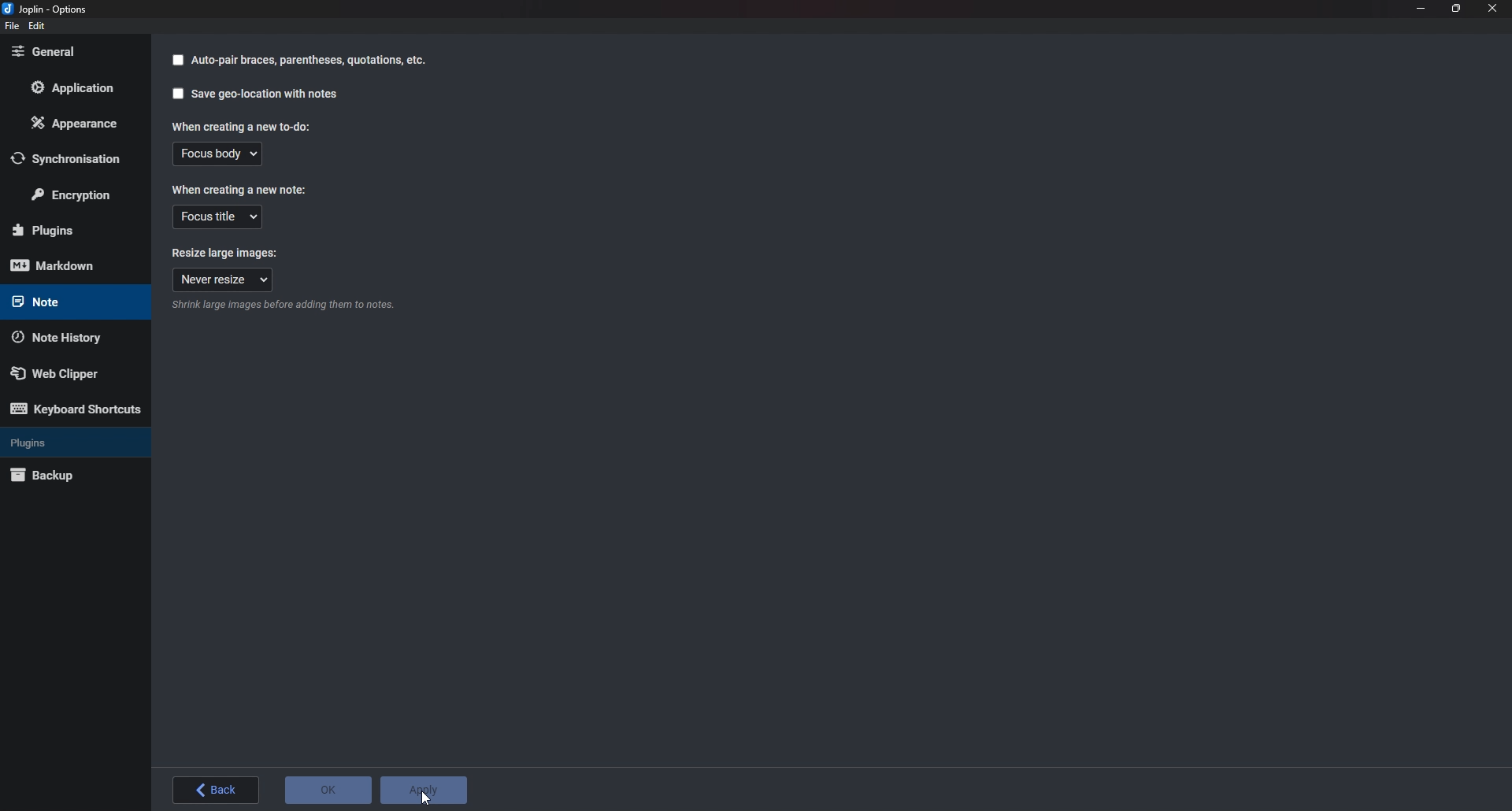 This screenshot has height=811, width=1512. I want to click on Application, so click(77, 87).